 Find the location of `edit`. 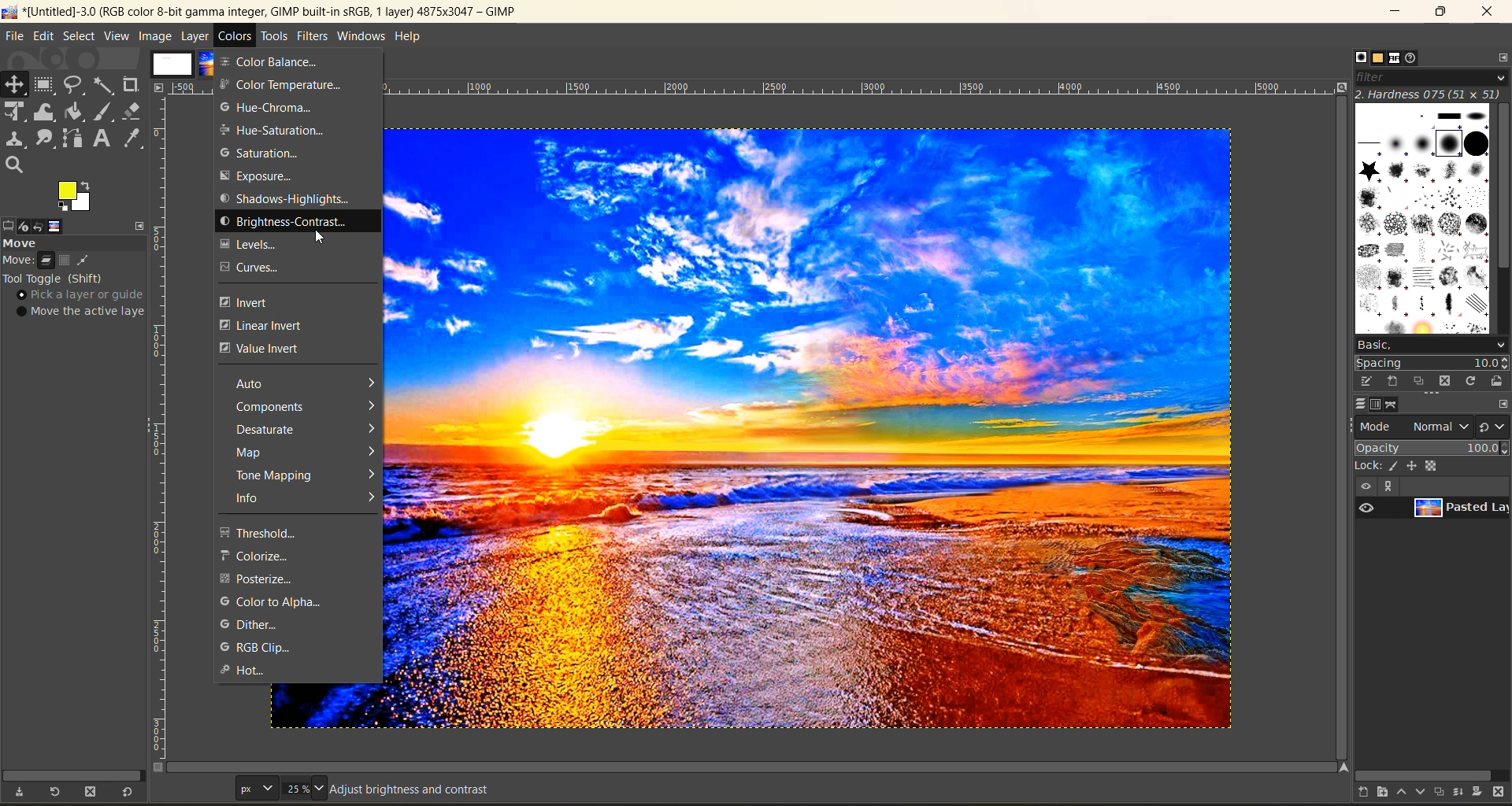

edit is located at coordinates (46, 38).